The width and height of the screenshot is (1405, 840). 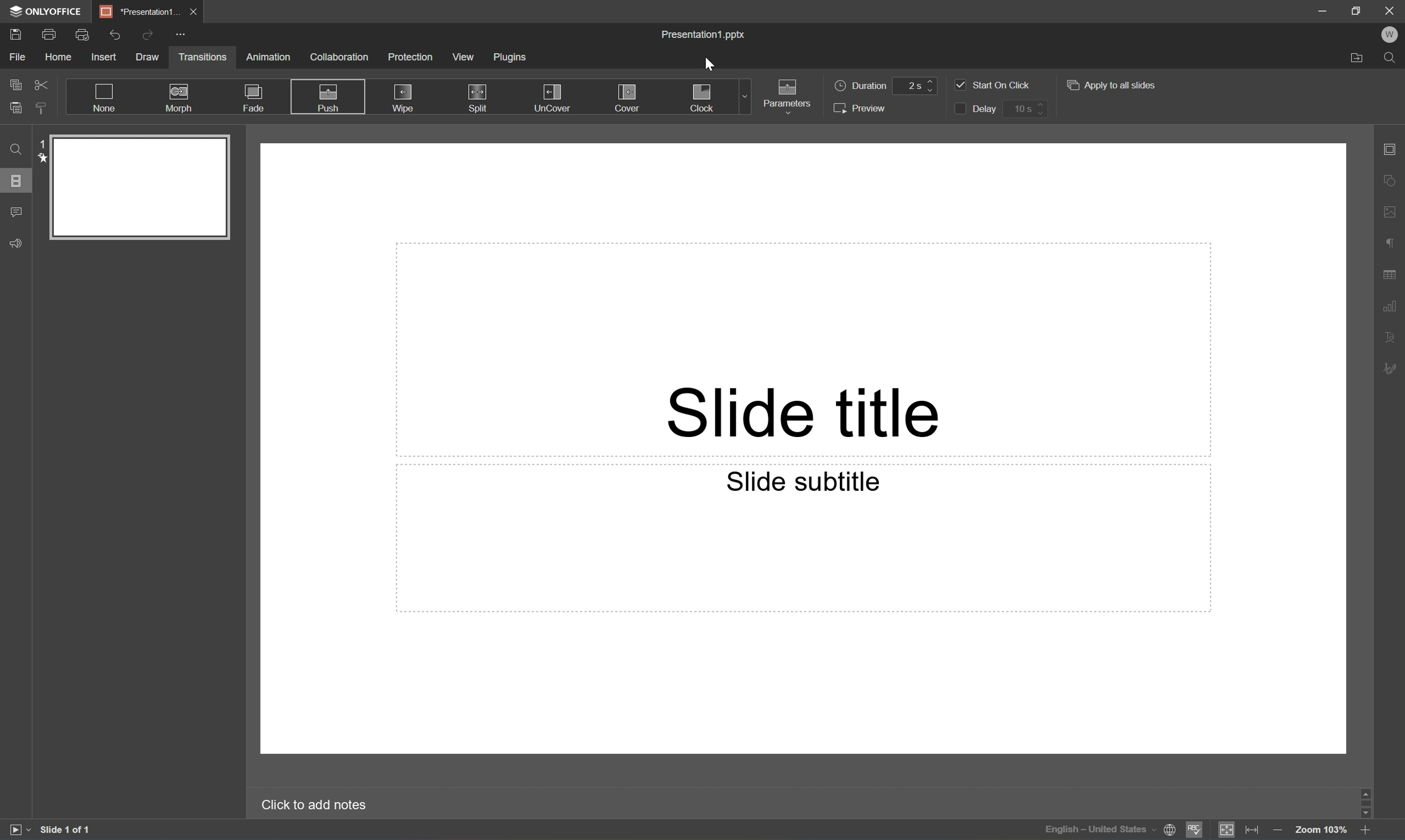 What do you see at coordinates (1229, 831) in the screenshot?
I see `Fit to slide` at bounding box center [1229, 831].